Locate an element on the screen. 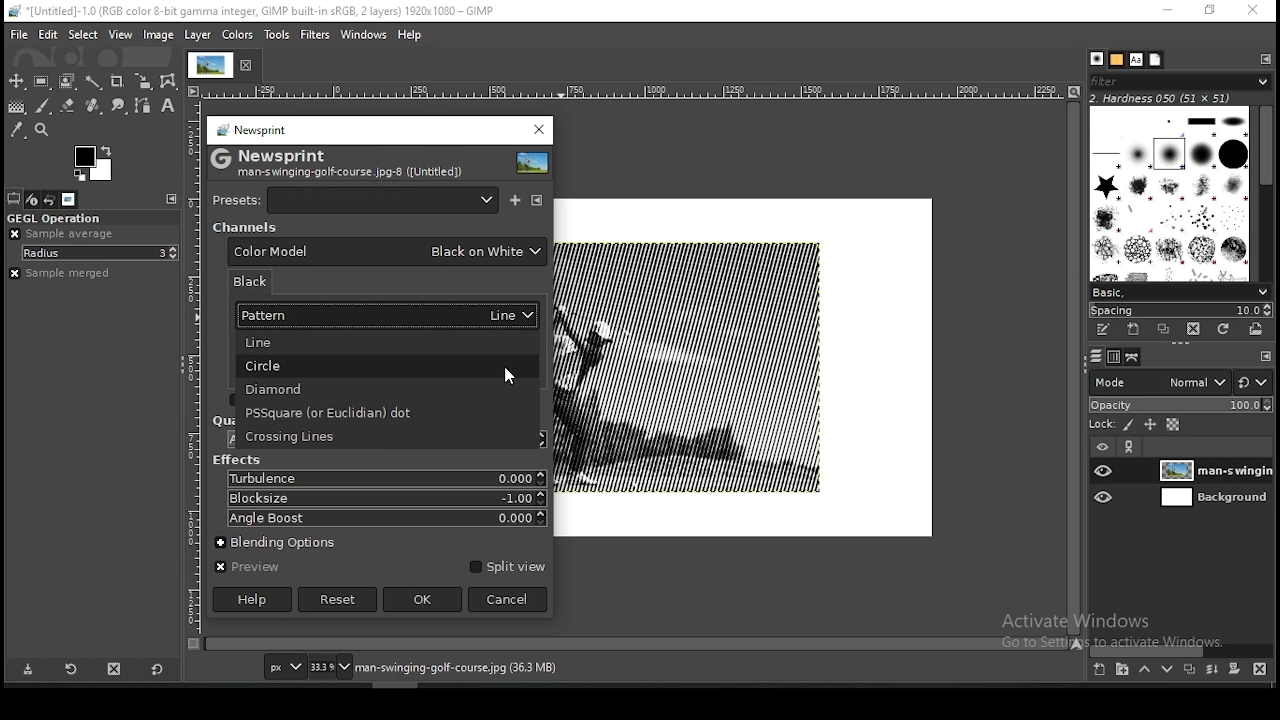  refresh brushes is located at coordinates (1225, 330).